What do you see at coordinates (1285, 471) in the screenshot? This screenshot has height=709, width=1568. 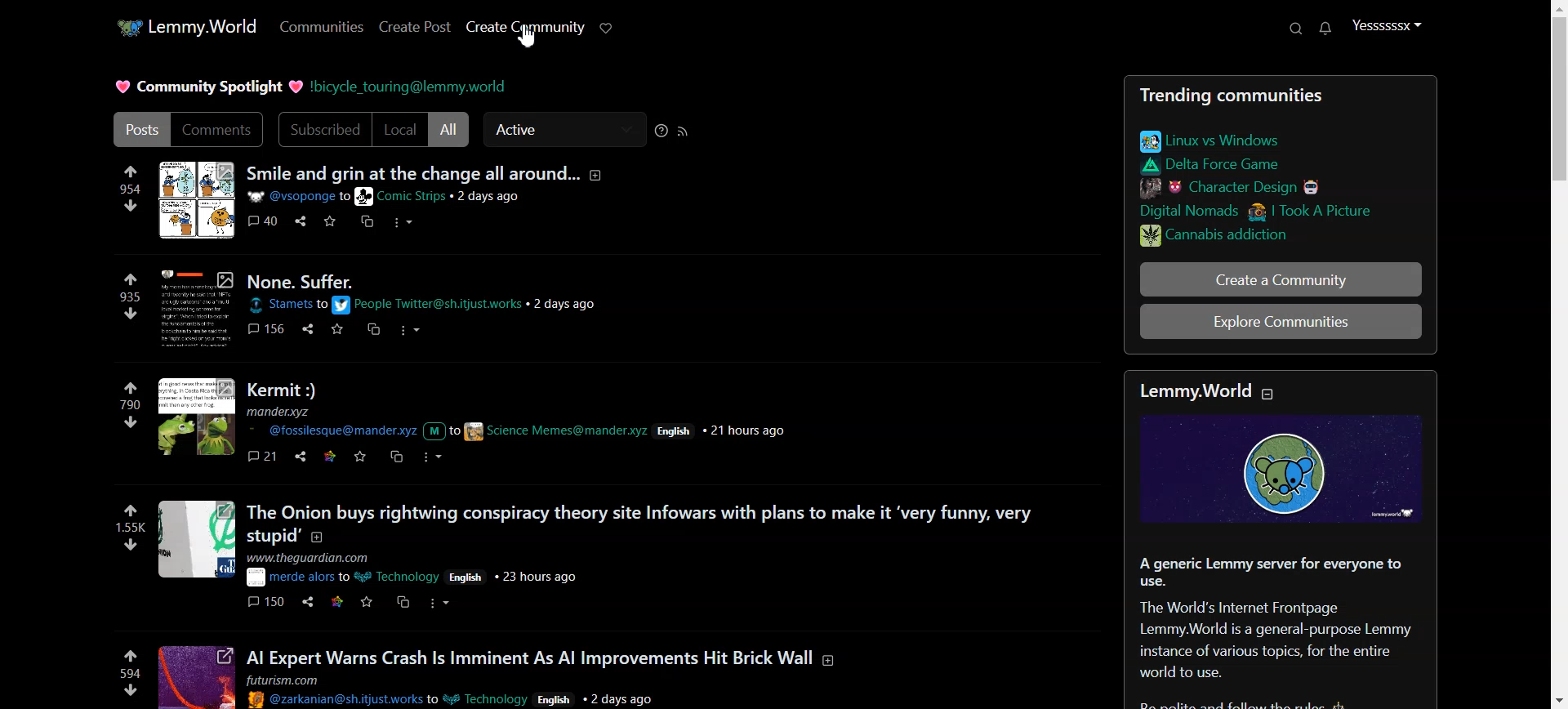 I see `image` at bounding box center [1285, 471].